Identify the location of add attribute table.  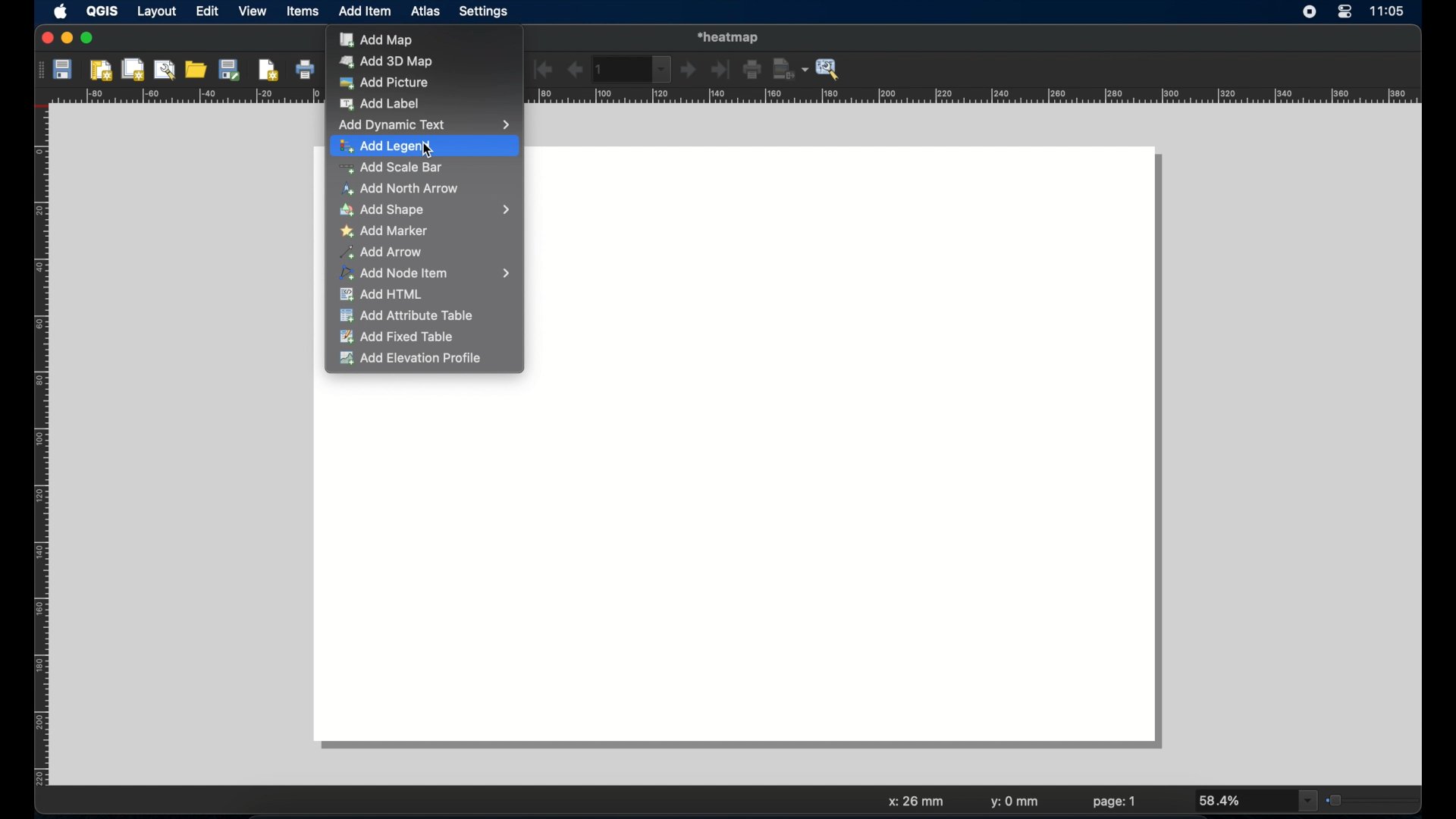
(406, 316).